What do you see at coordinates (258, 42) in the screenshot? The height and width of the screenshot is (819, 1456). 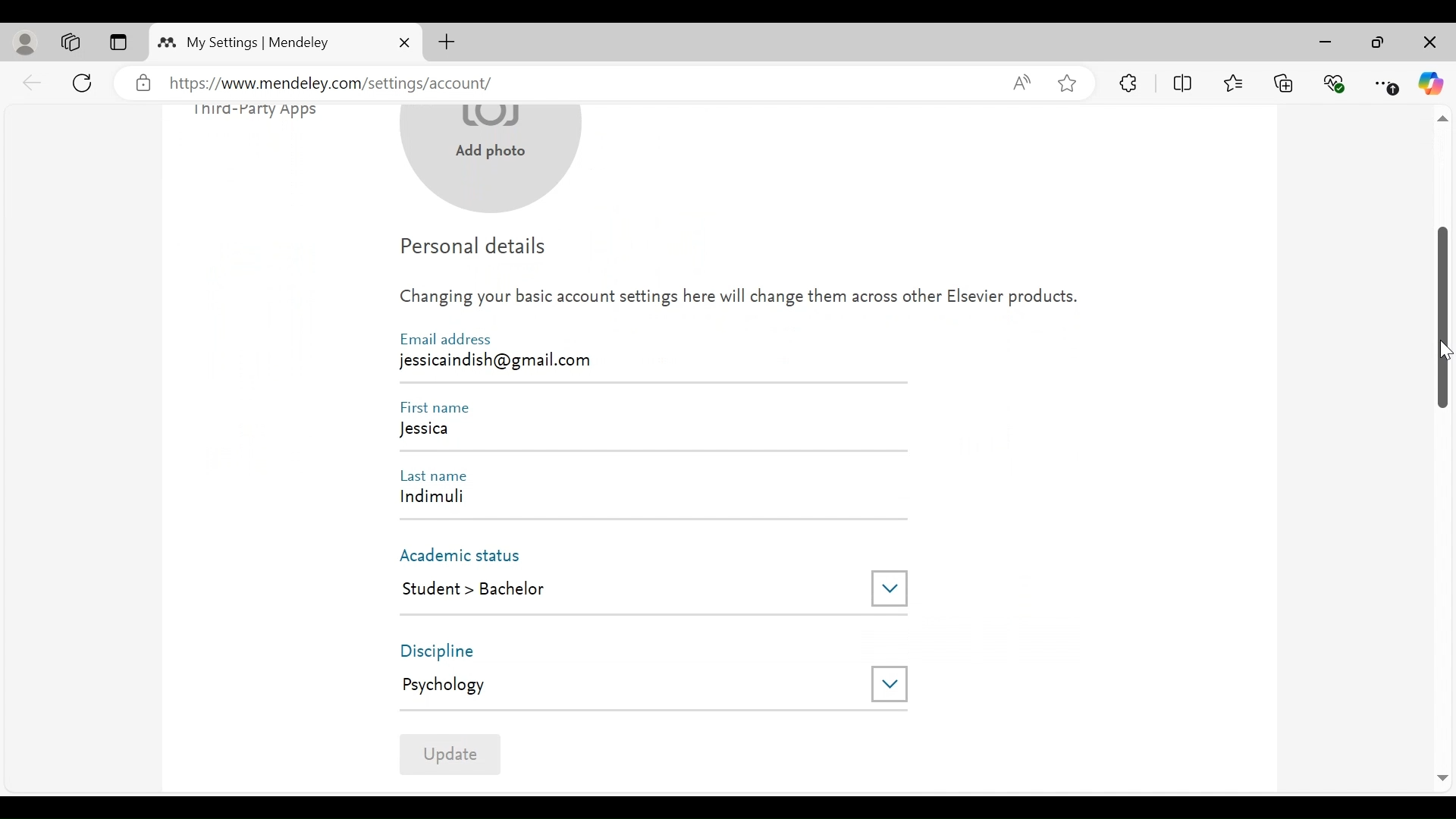 I see `My Settings | Mendeley` at bounding box center [258, 42].